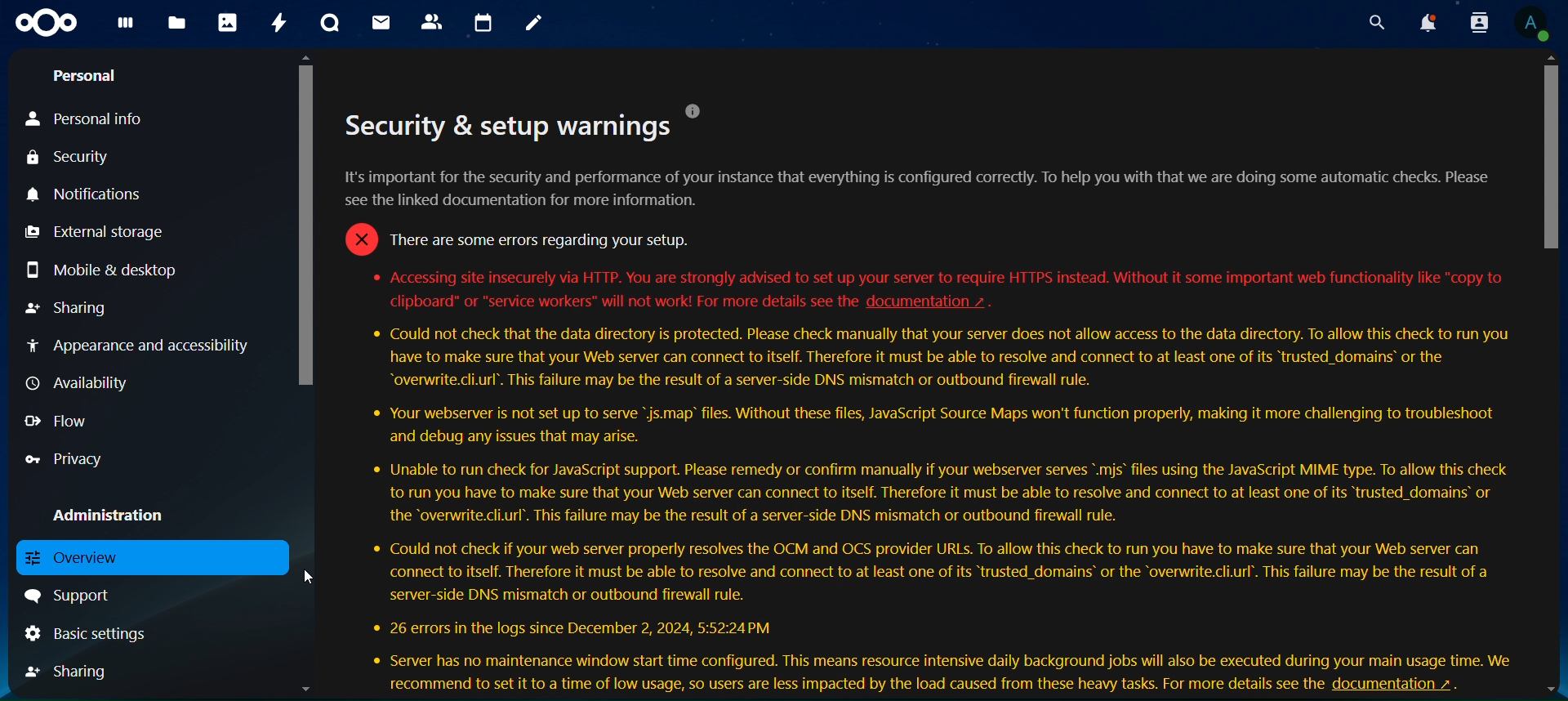 This screenshot has height=701, width=1568. Describe the element at coordinates (1553, 156) in the screenshot. I see `cursor` at that location.